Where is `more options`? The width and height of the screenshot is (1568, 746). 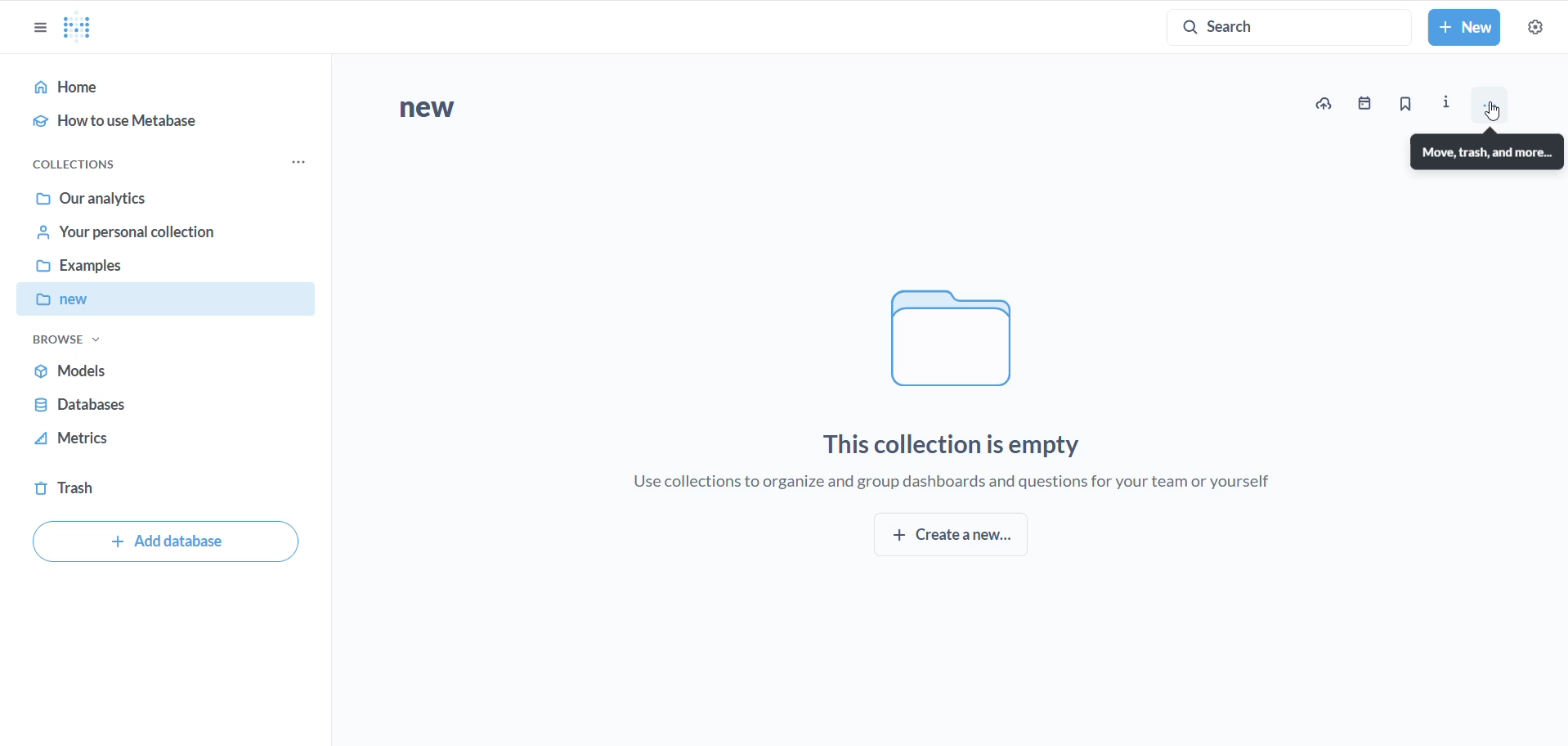
more options is located at coordinates (1498, 106).